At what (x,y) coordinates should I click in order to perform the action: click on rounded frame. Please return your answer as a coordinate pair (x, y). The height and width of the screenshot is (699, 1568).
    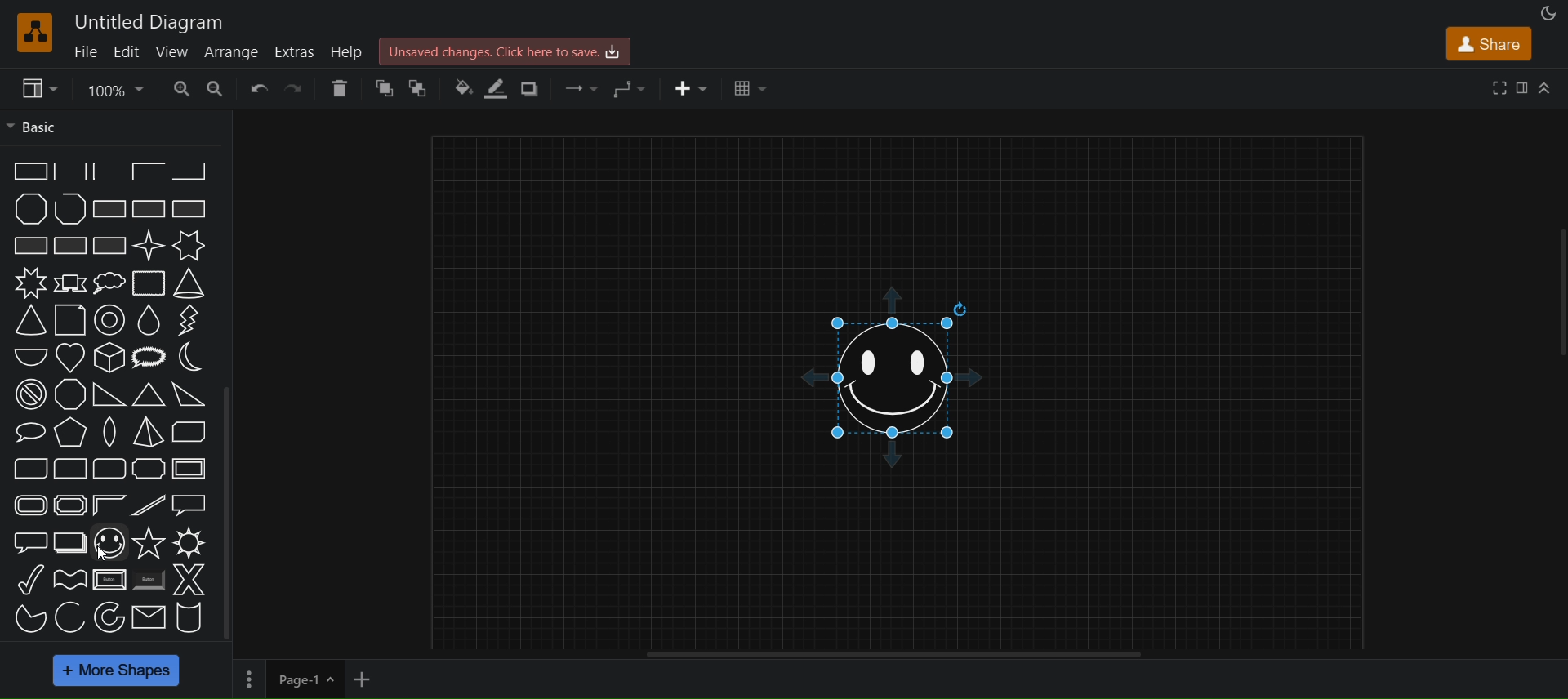
    Looking at the image, I should click on (28, 505).